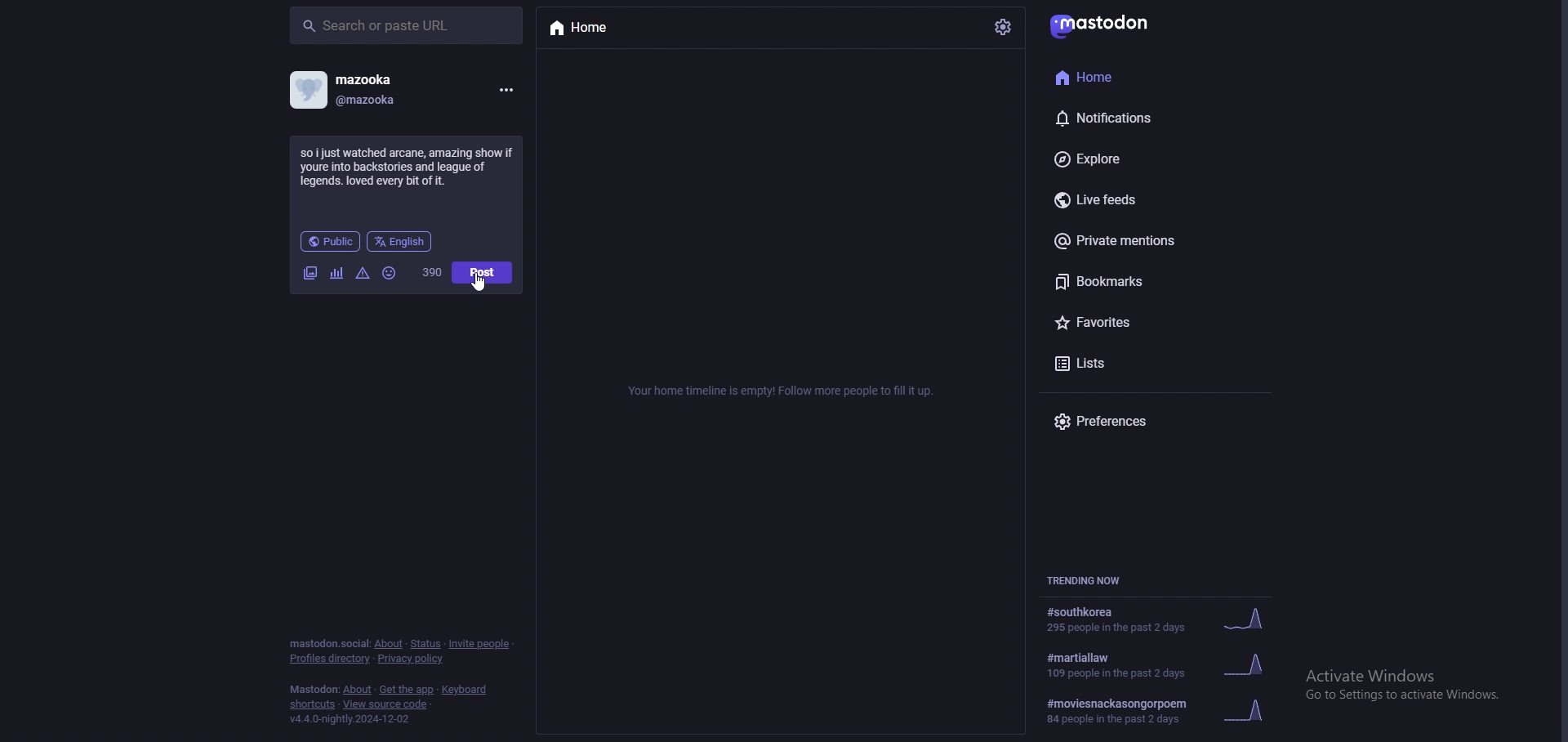 Image resolution: width=1568 pixels, height=742 pixels. Describe the element at coordinates (1125, 159) in the screenshot. I see `explore` at that location.